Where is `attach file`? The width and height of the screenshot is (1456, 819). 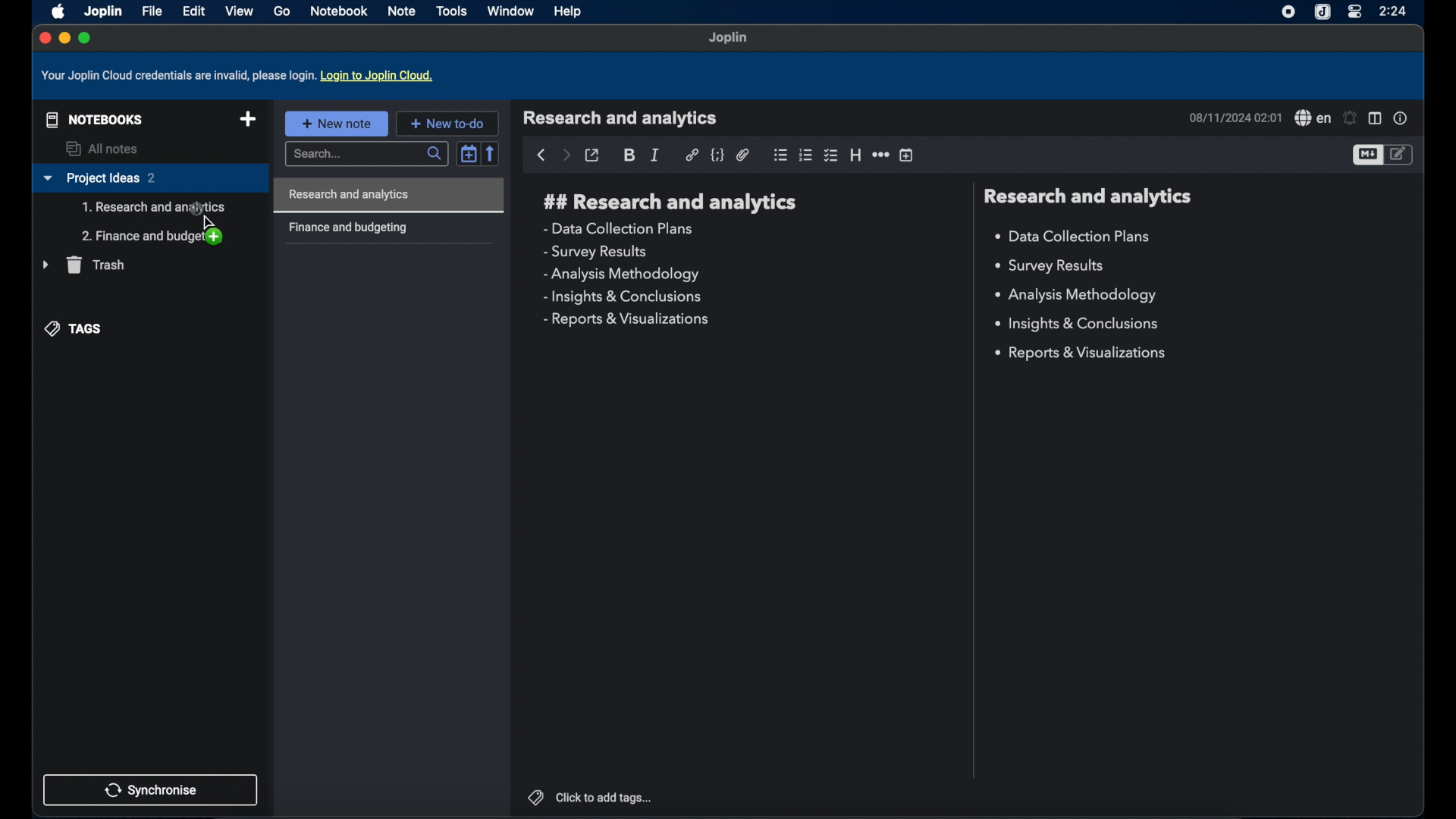 attach file is located at coordinates (743, 155).